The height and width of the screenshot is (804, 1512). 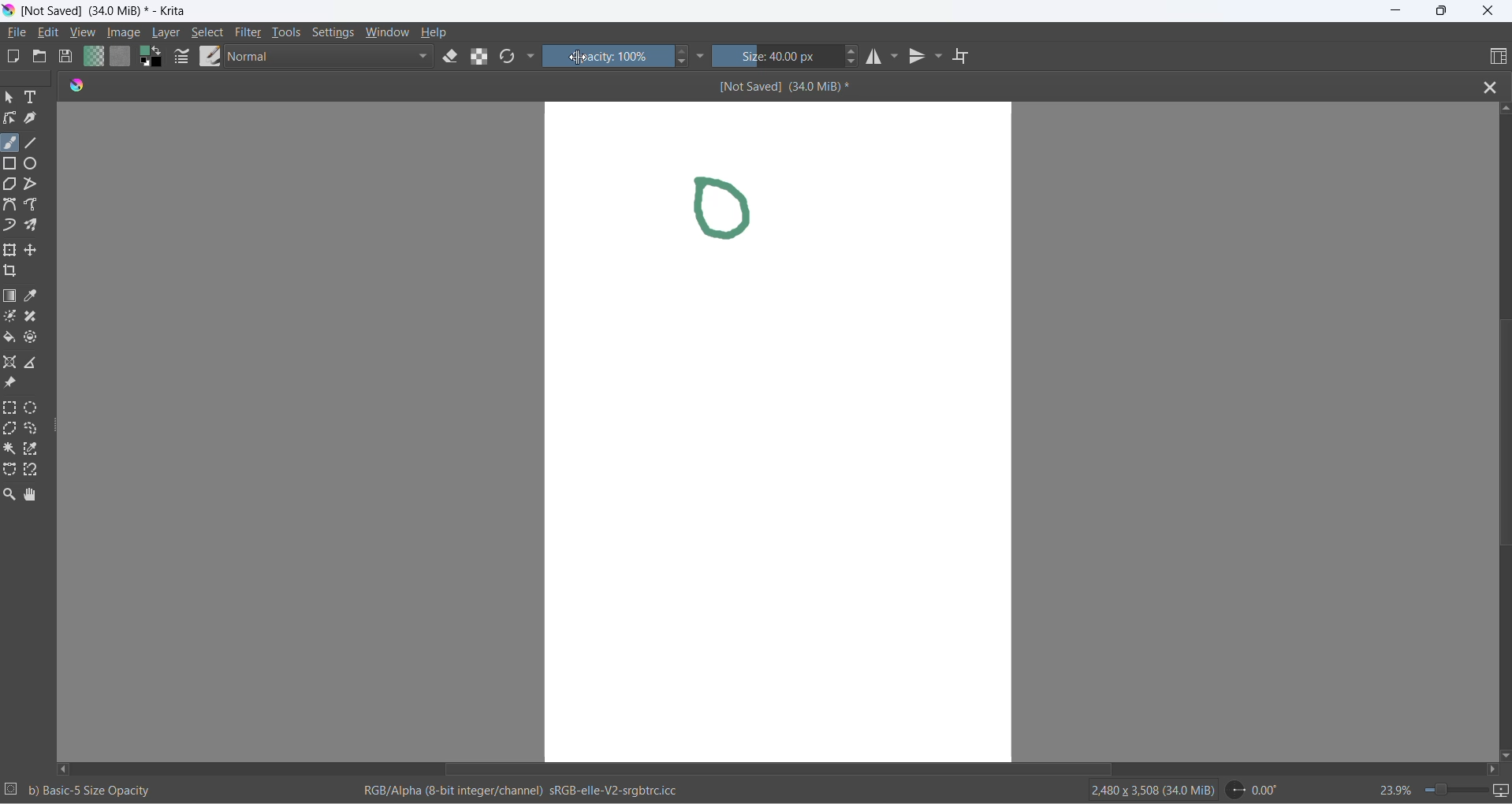 I want to click on help, so click(x=437, y=32).